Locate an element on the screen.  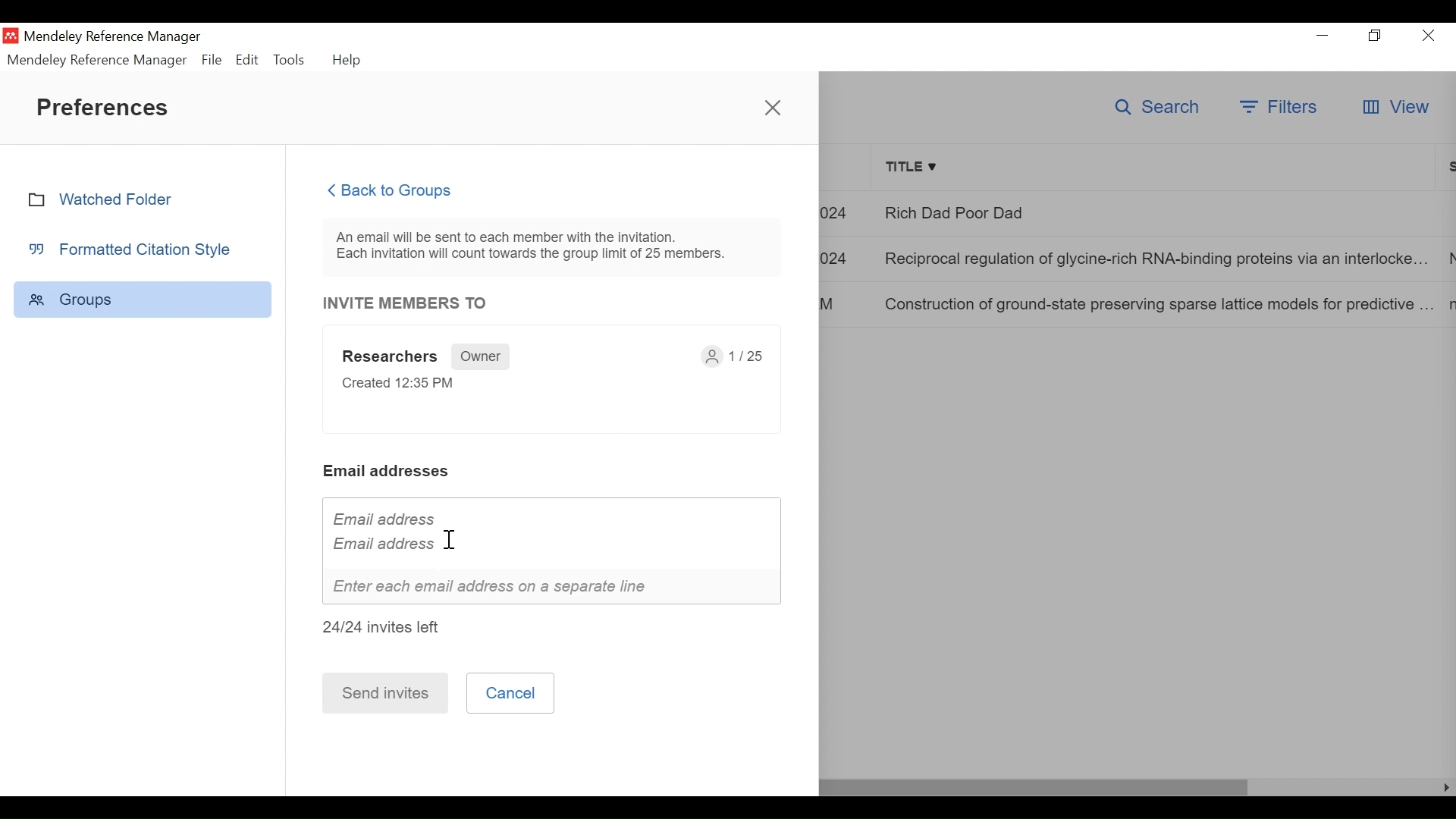
Mendeley Desktop Icon is located at coordinates (11, 36).